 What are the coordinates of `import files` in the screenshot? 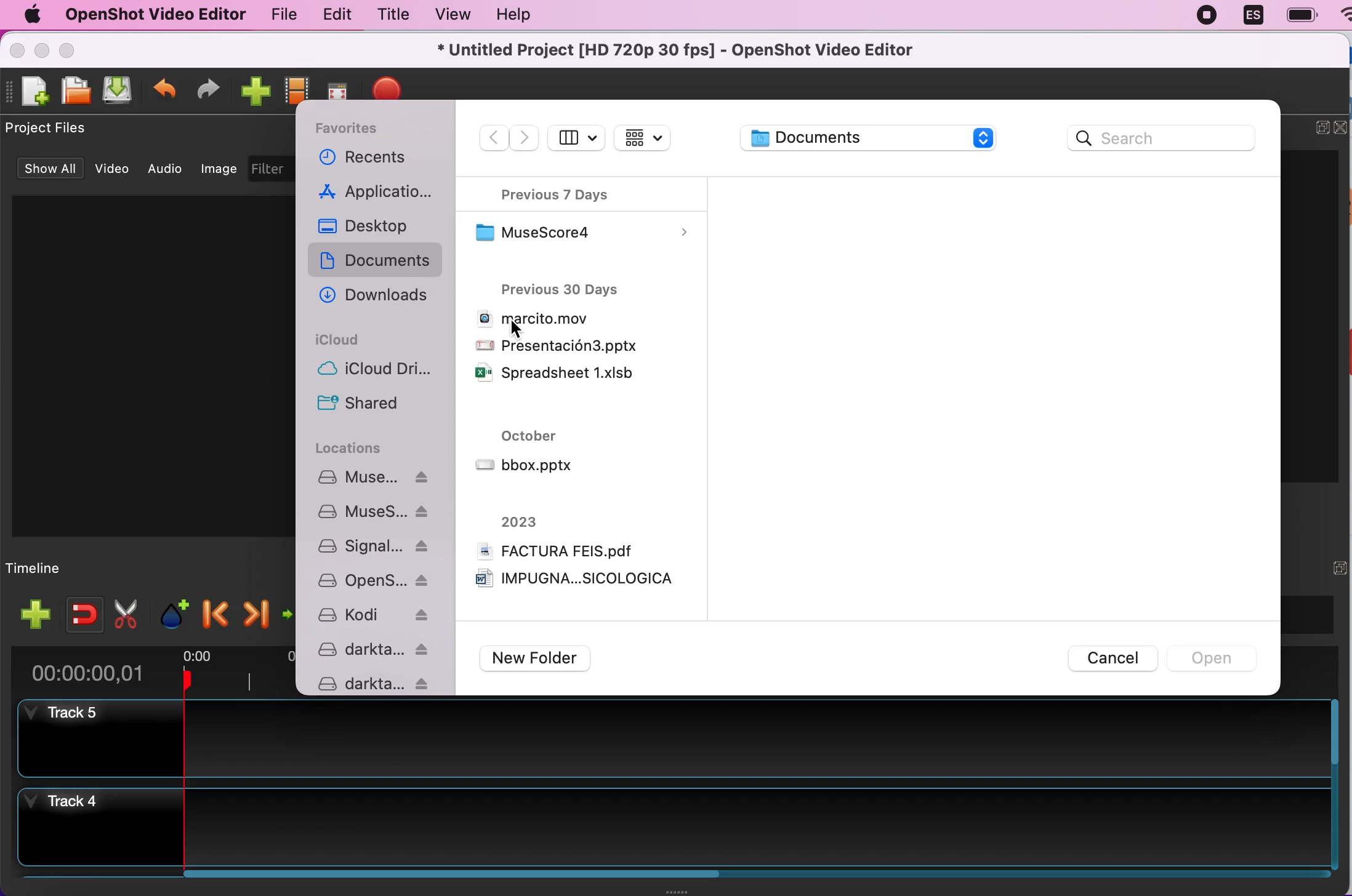 It's located at (257, 90).